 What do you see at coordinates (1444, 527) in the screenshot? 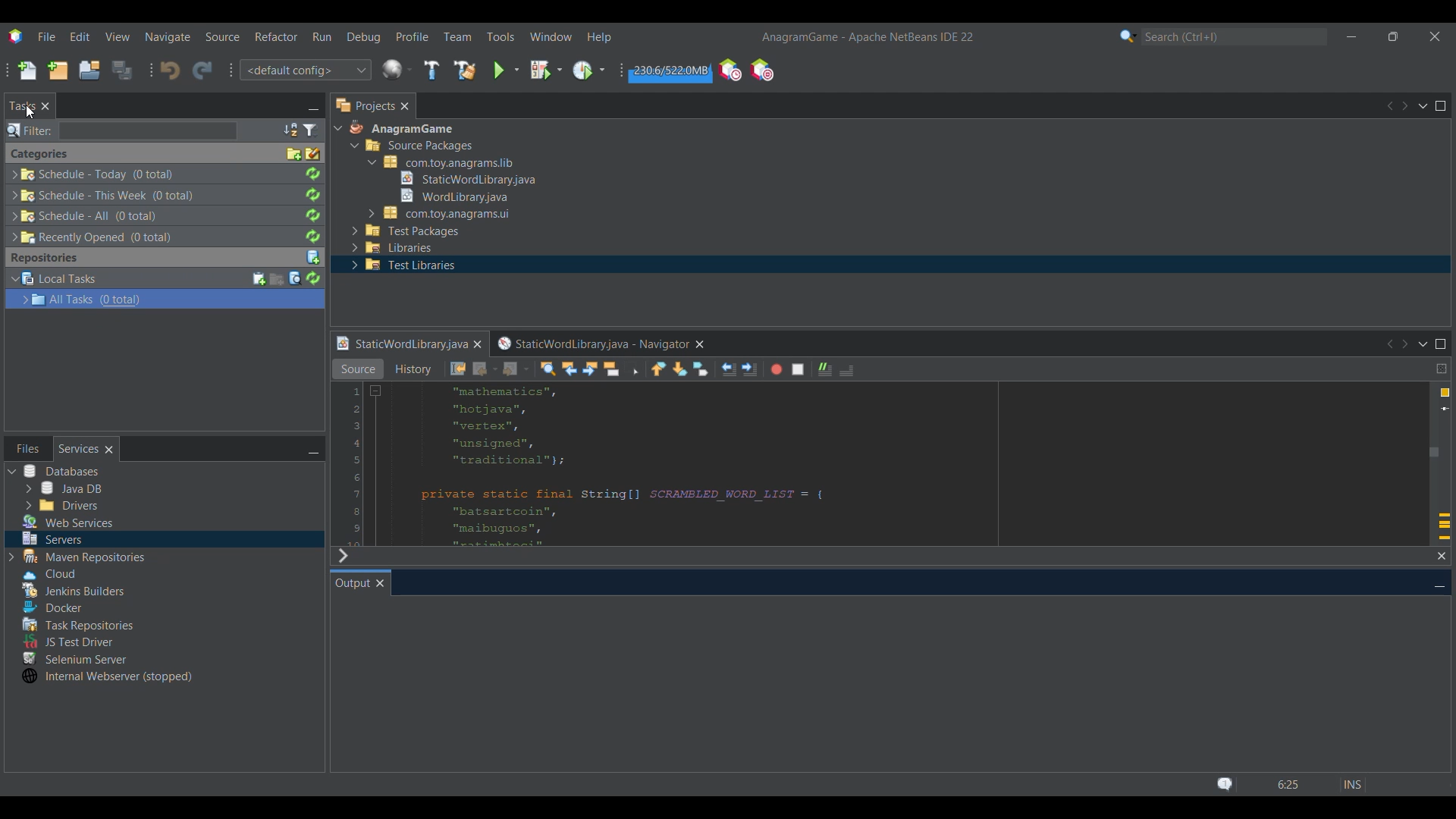
I see `Add override annotation` at bounding box center [1444, 527].